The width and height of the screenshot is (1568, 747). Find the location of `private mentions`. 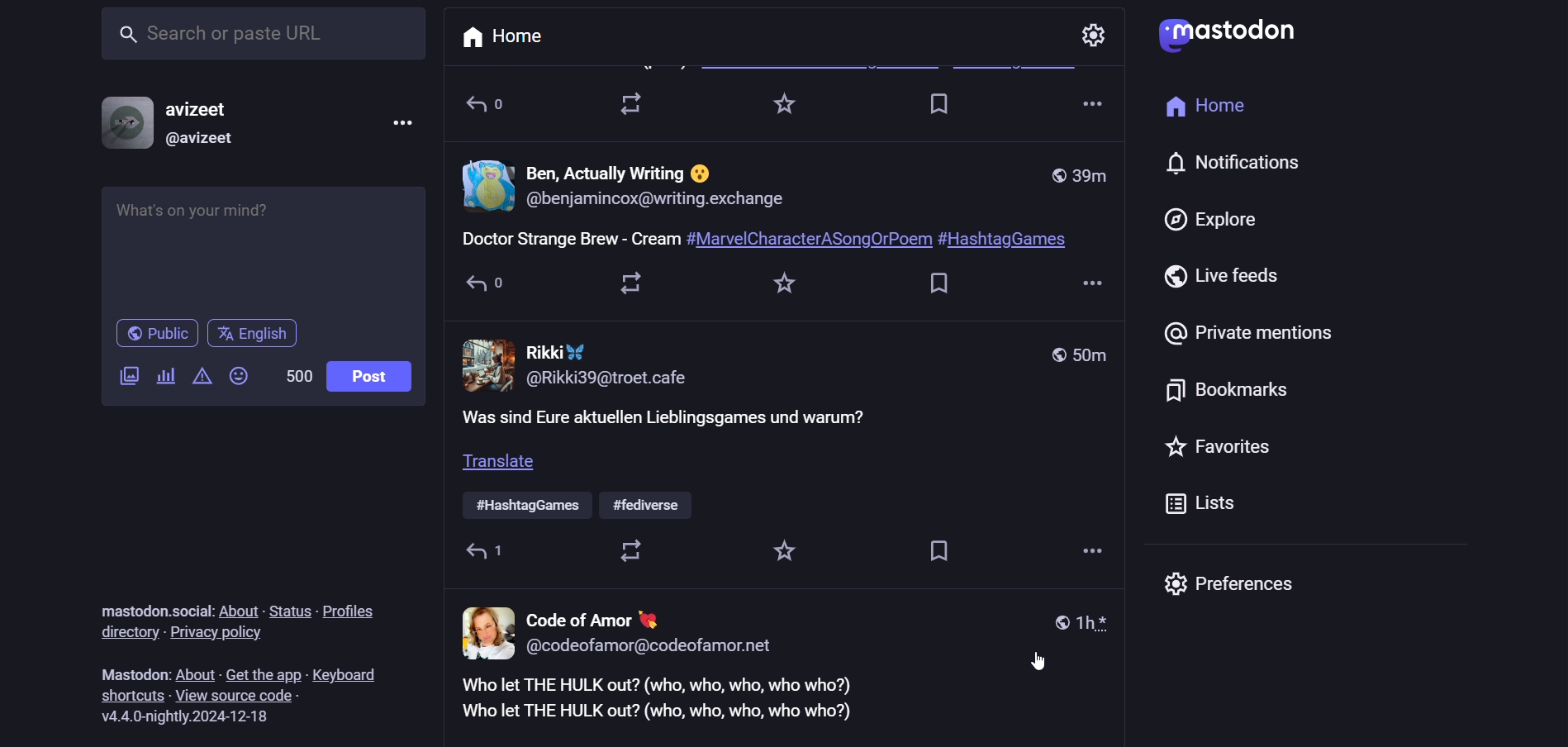

private mentions is located at coordinates (1251, 332).